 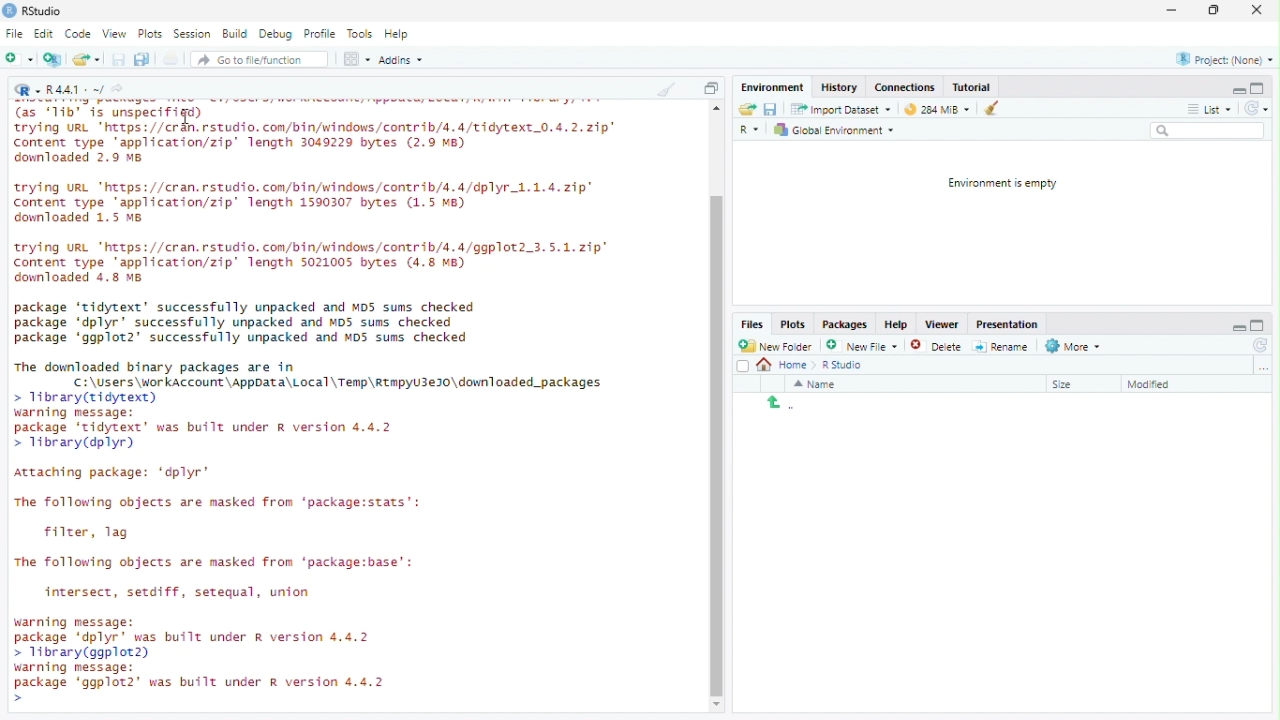 What do you see at coordinates (817, 384) in the screenshot?
I see `Name` at bounding box center [817, 384].